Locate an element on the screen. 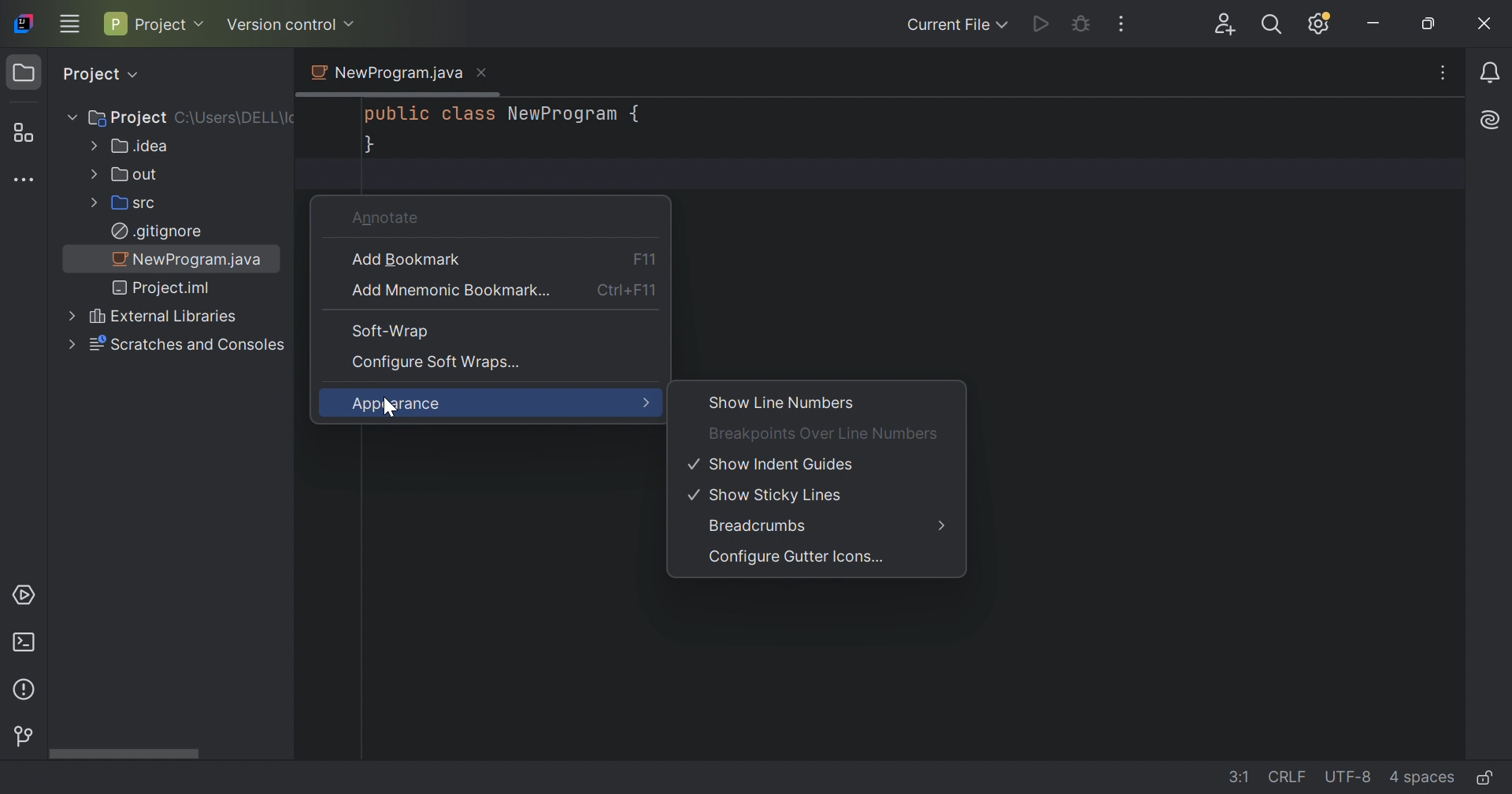  Services is located at coordinates (23, 595).